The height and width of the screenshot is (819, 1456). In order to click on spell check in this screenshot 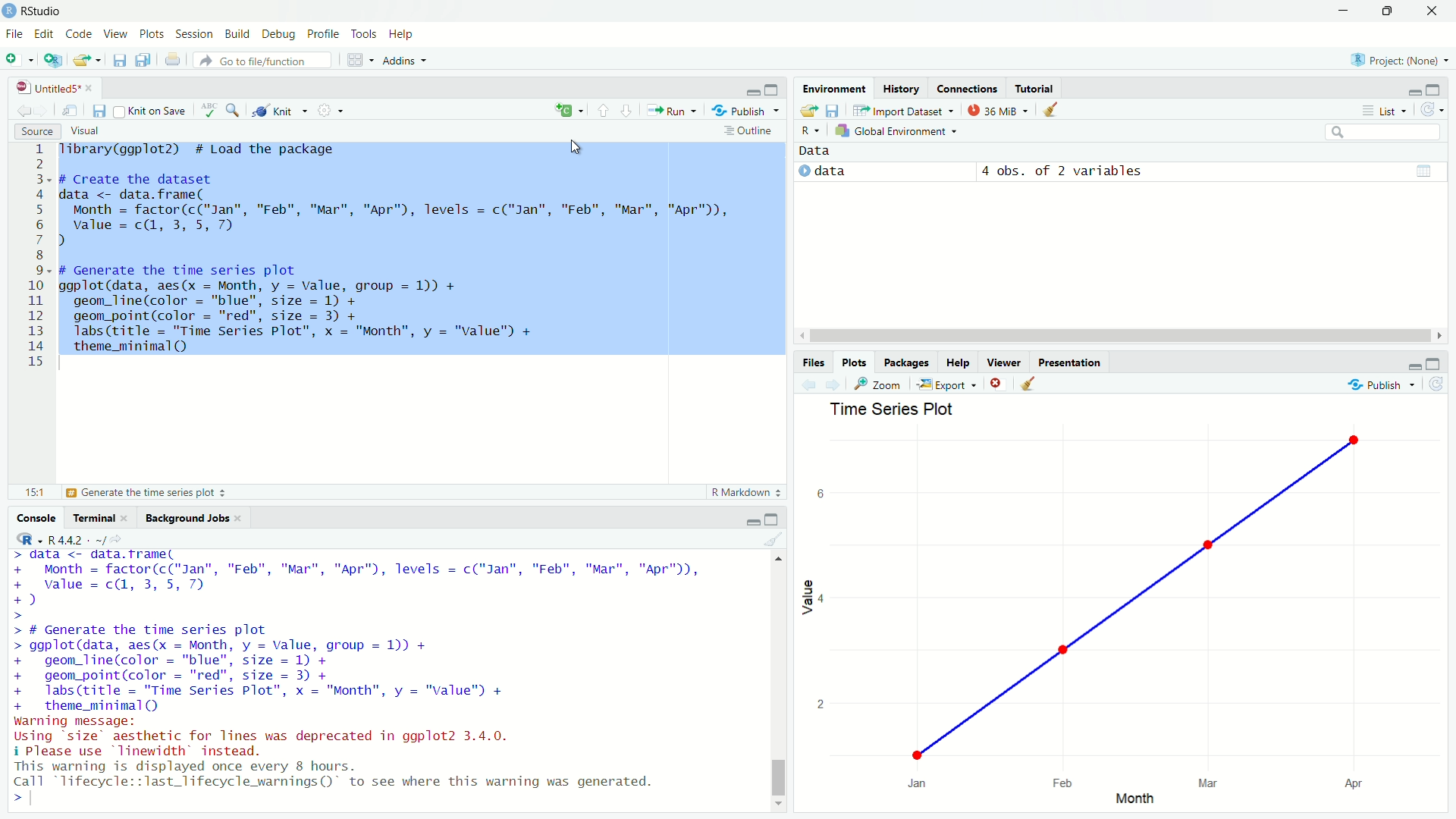, I will do `click(206, 113)`.